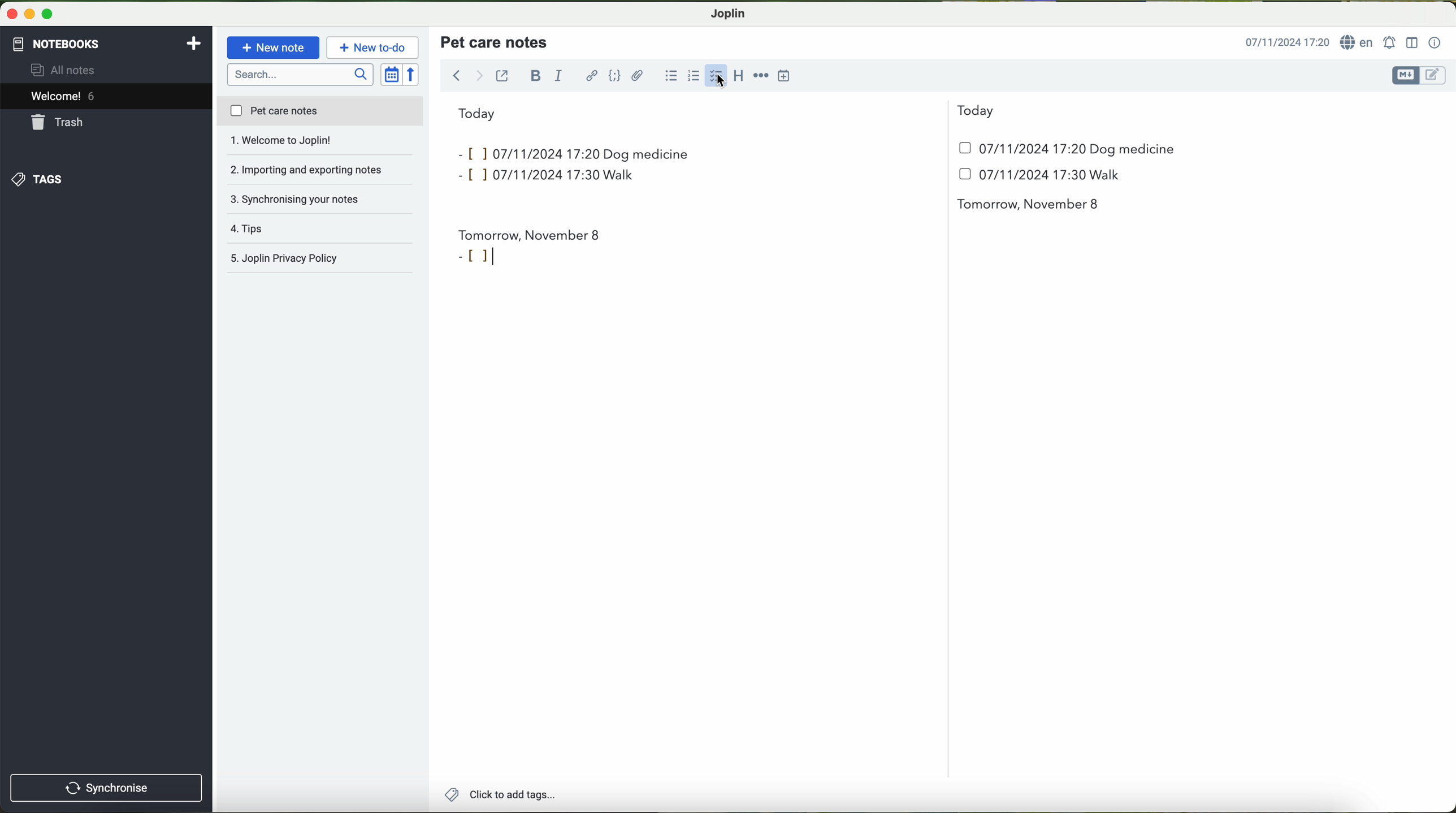  What do you see at coordinates (274, 47) in the screenshot?
I see `new note button` at bounding box center [274, 47].